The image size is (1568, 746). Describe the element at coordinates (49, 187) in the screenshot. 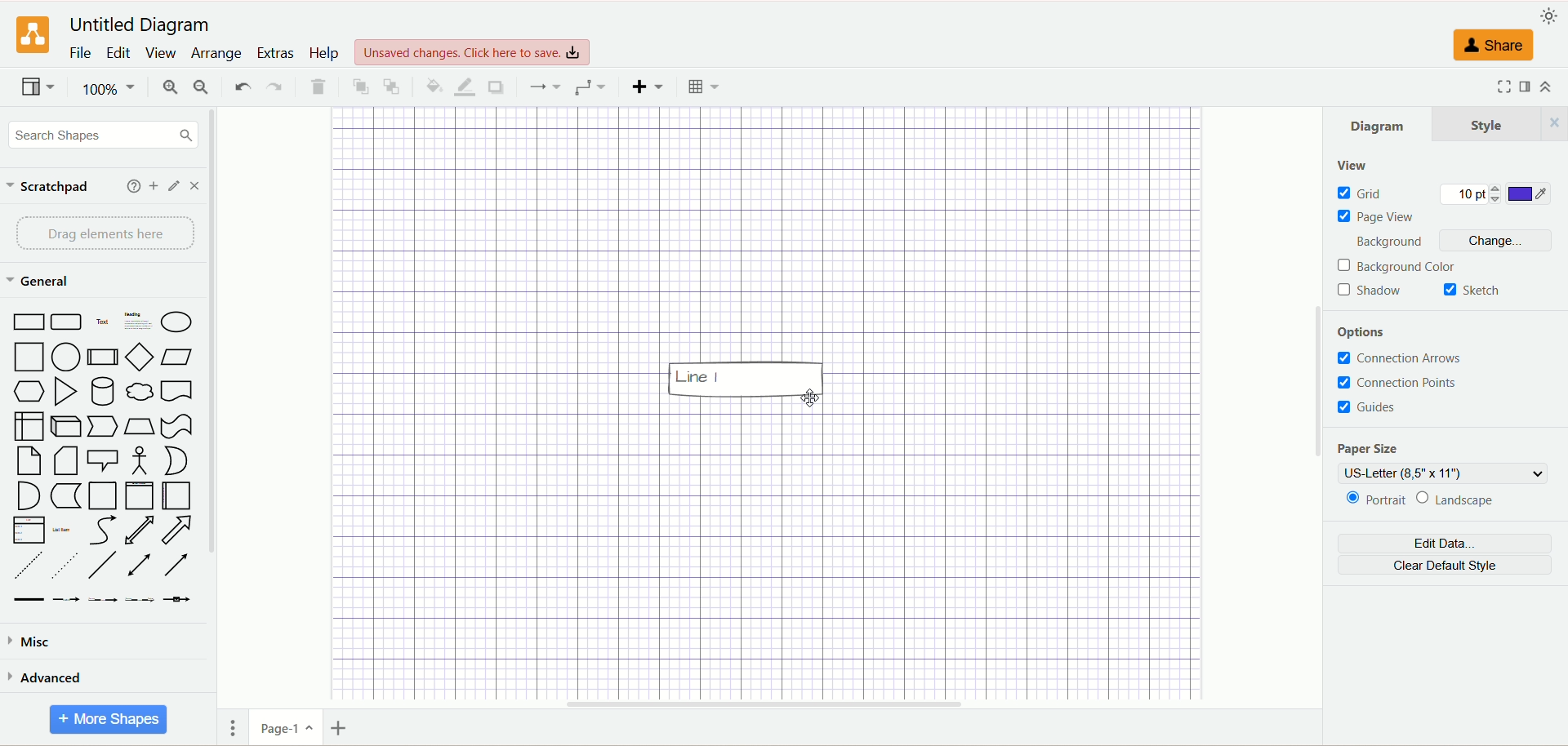

I see `scratchpad` at that location.